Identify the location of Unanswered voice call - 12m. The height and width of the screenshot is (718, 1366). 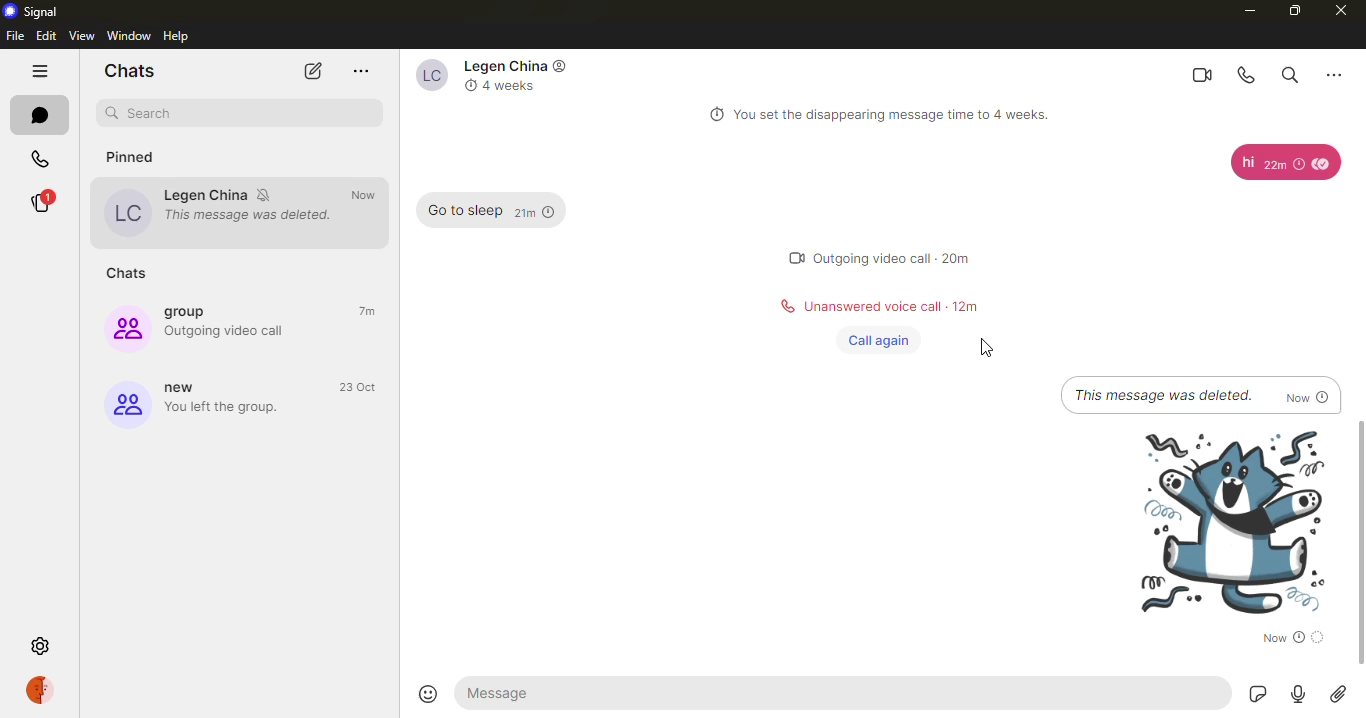
(892, 306).